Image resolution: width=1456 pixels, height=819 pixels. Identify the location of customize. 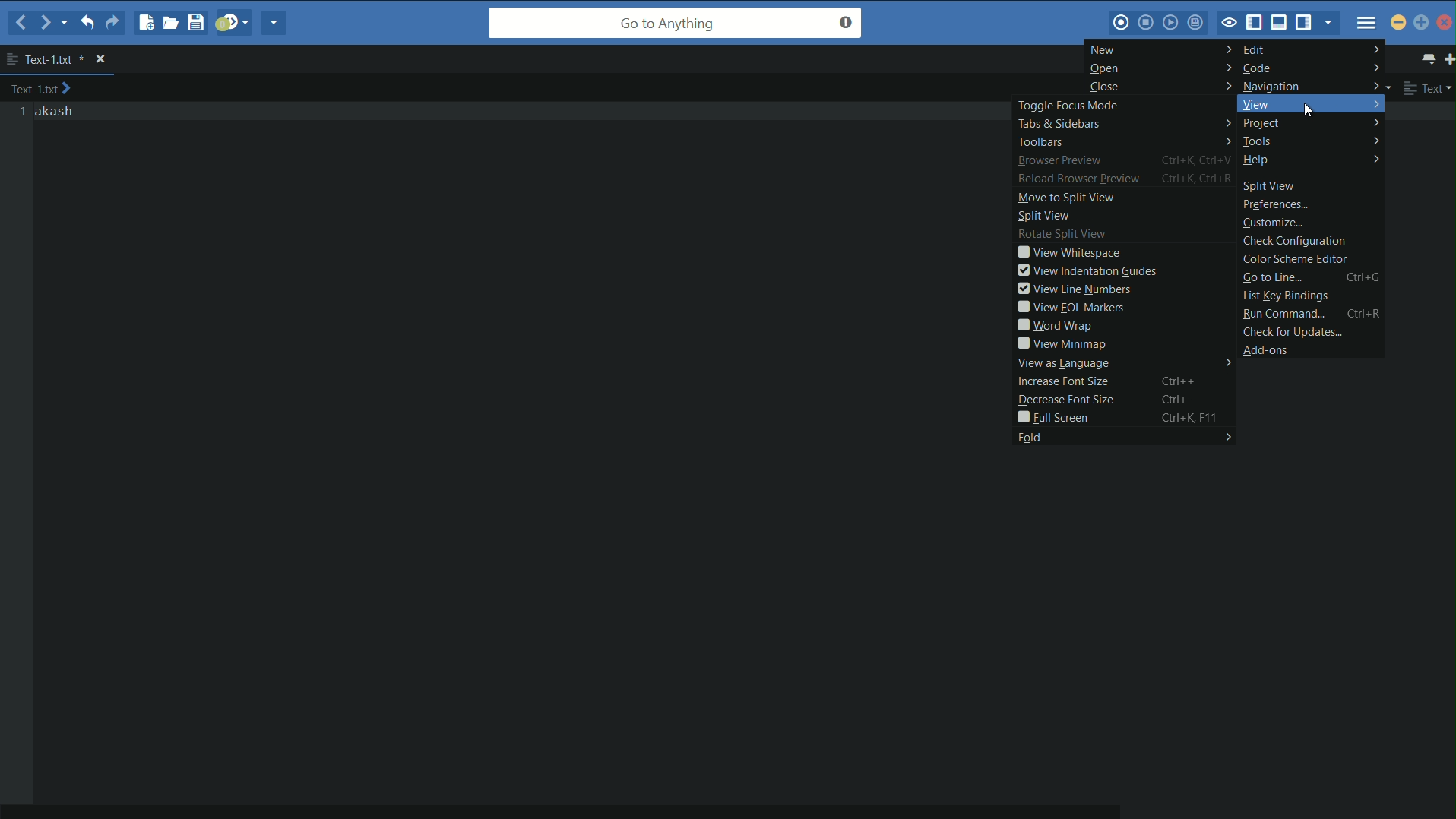
(1313, 223).